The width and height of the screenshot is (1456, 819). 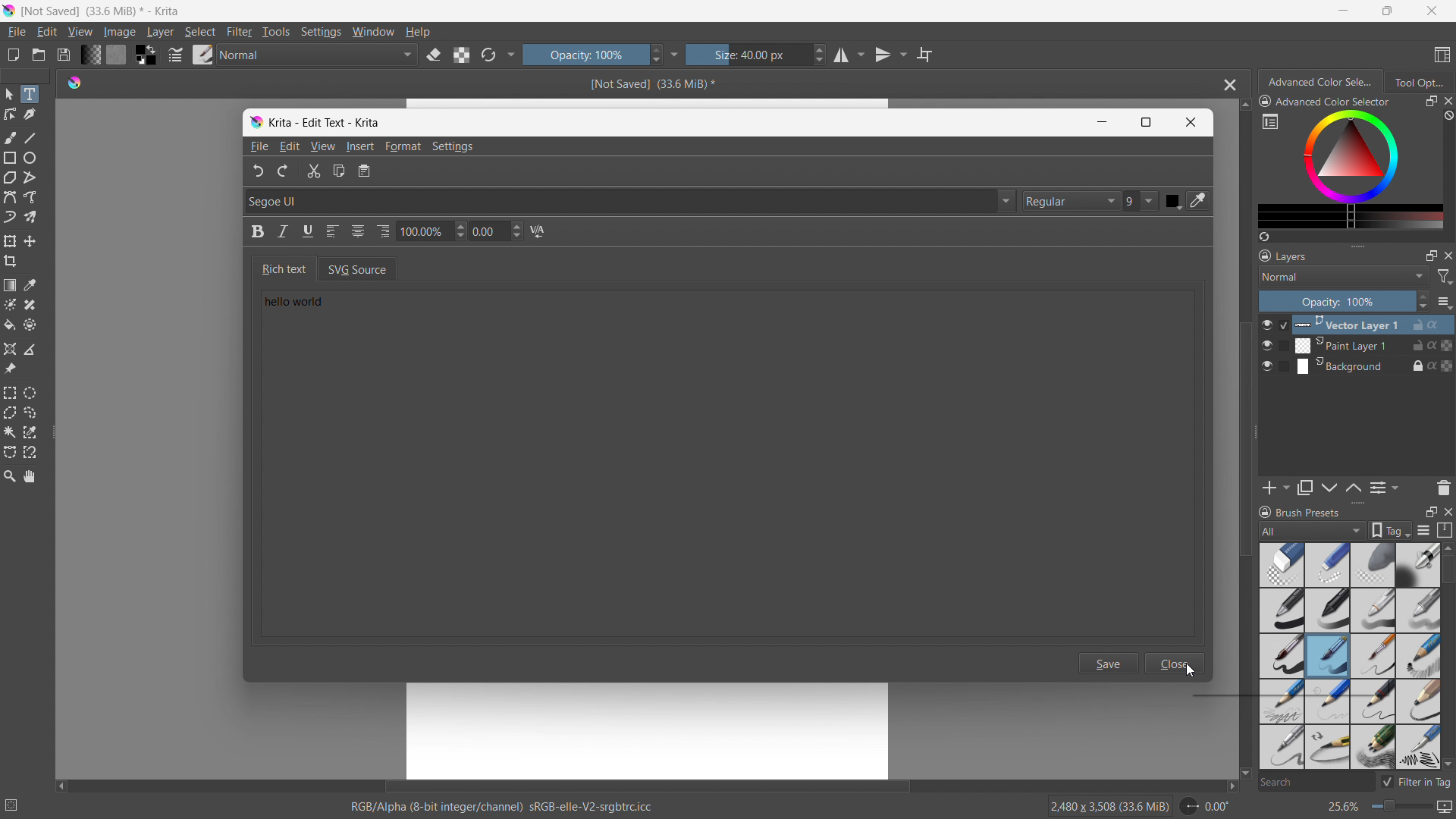 I want to click on polygon tool, so click(x=10, y=178).